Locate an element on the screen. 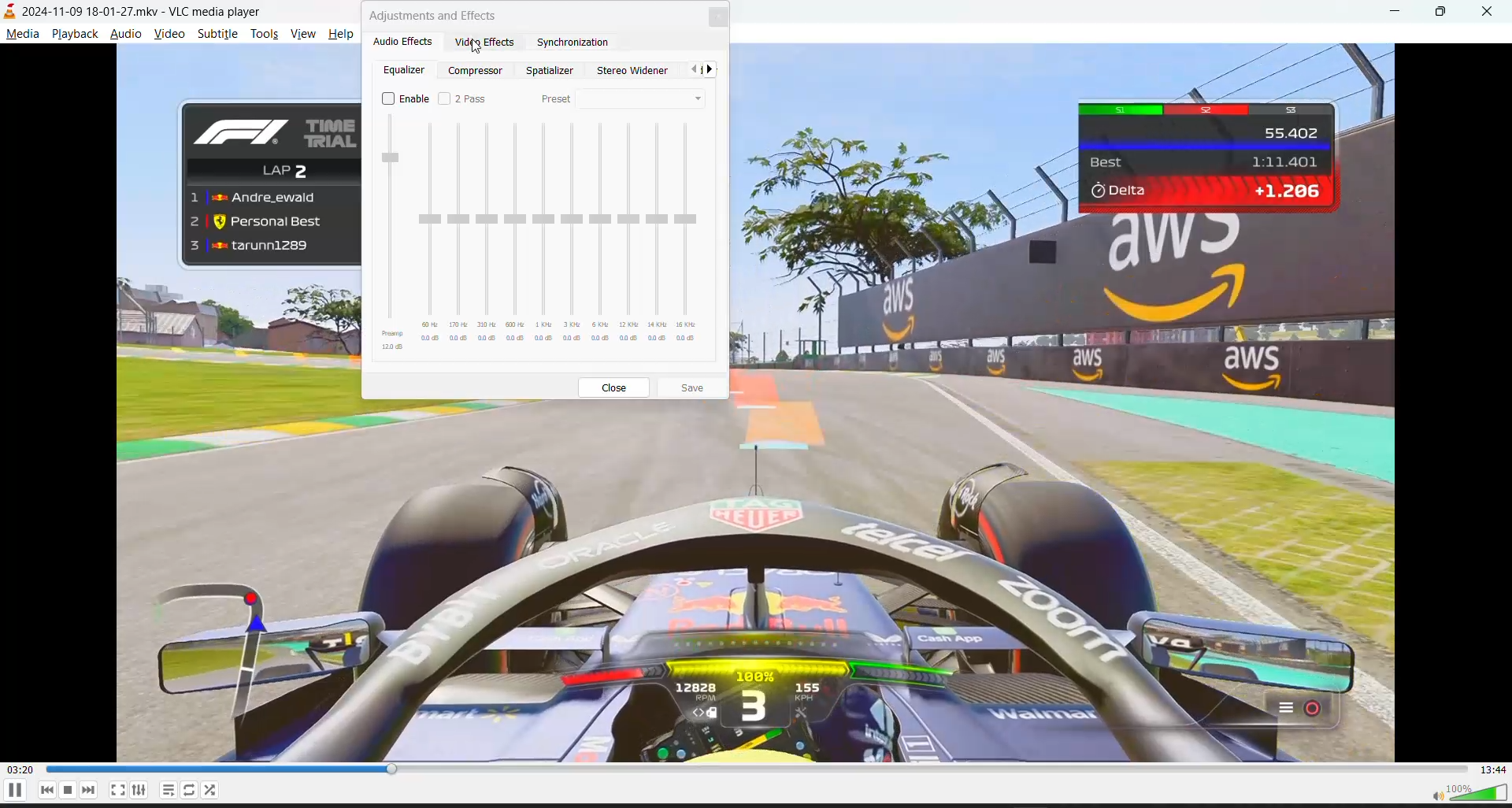  help is located at coordinates (344, 32).